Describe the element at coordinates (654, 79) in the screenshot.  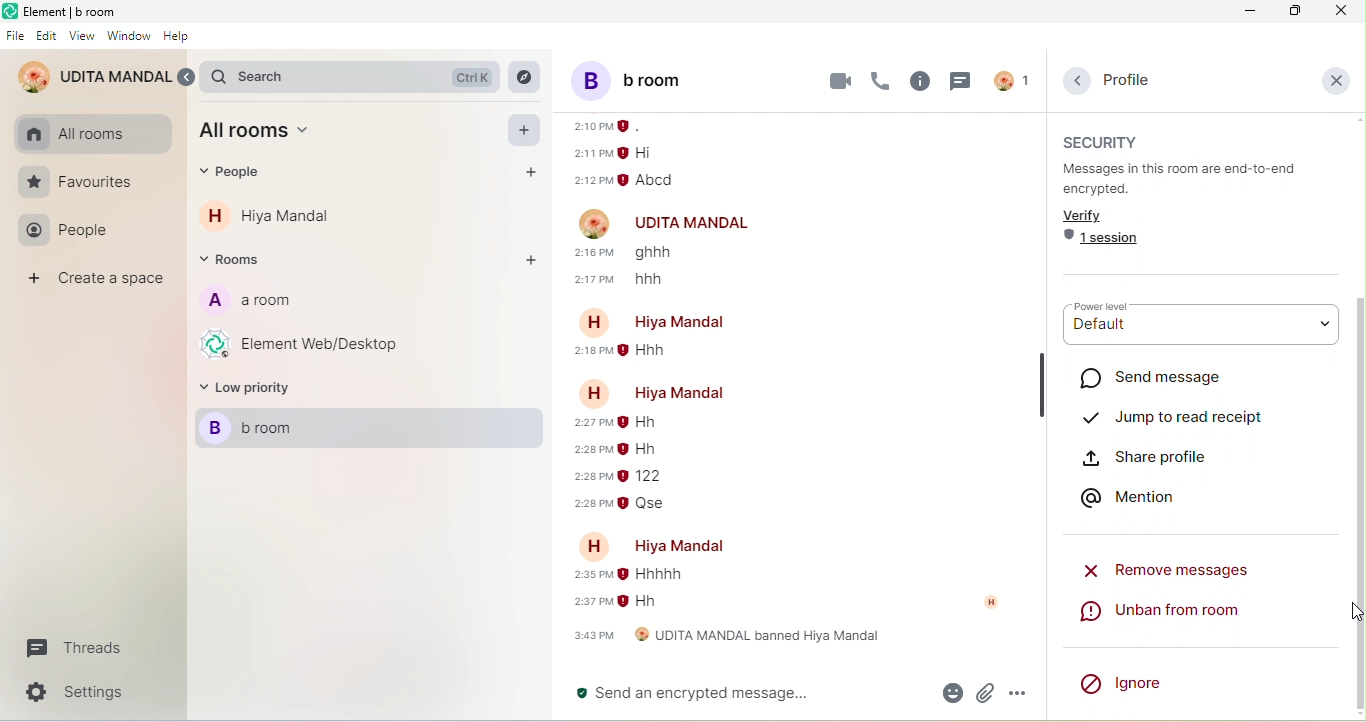
I see `b room` at that location.